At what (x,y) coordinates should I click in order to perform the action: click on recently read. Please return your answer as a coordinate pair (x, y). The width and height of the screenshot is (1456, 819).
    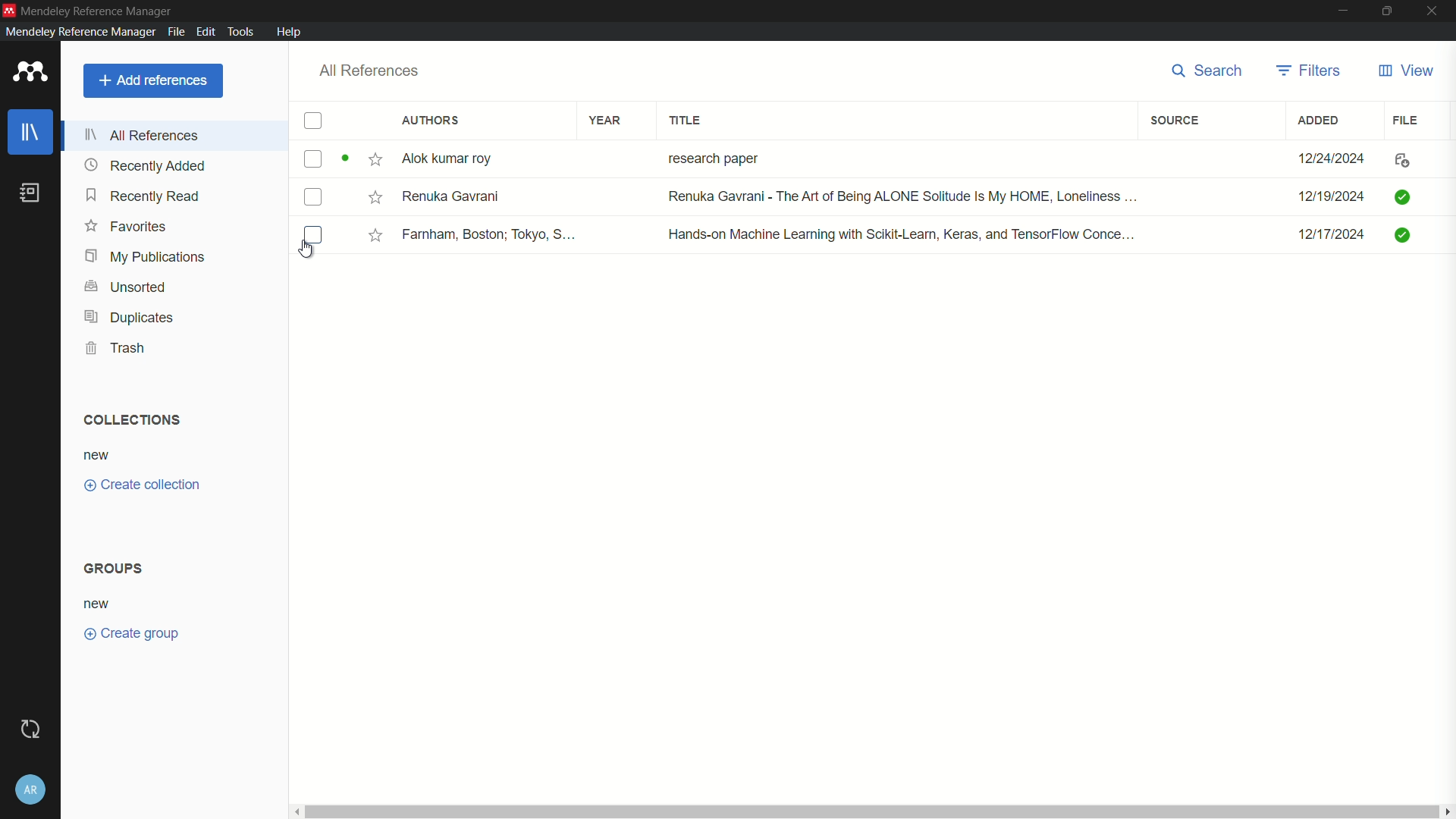
    Looking at the image, I should click on (143, 196).